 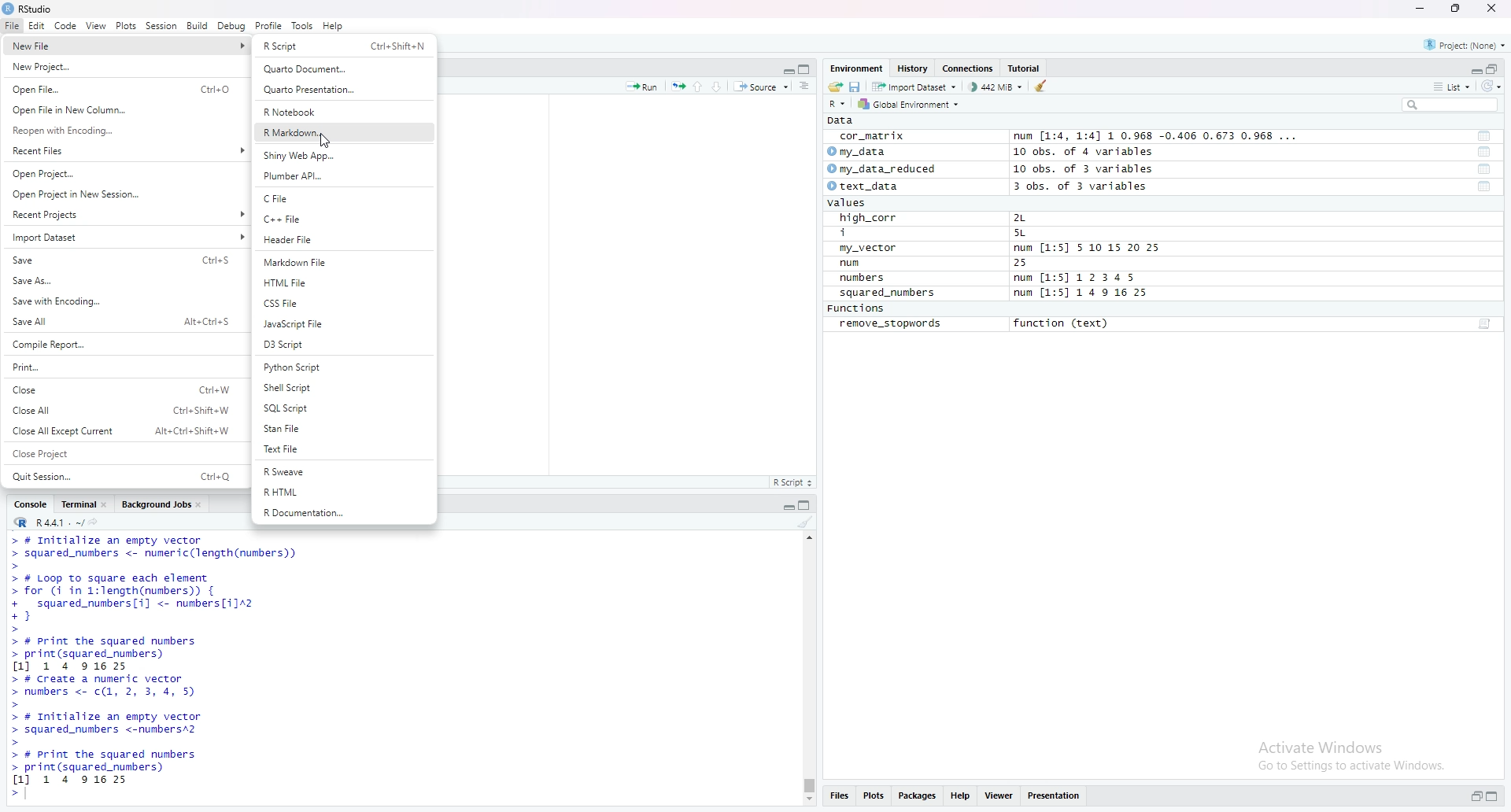 What do you see at coordinates (106, 68) in the screenshot?
I see `New Project.` at bounding box center [106, 68].